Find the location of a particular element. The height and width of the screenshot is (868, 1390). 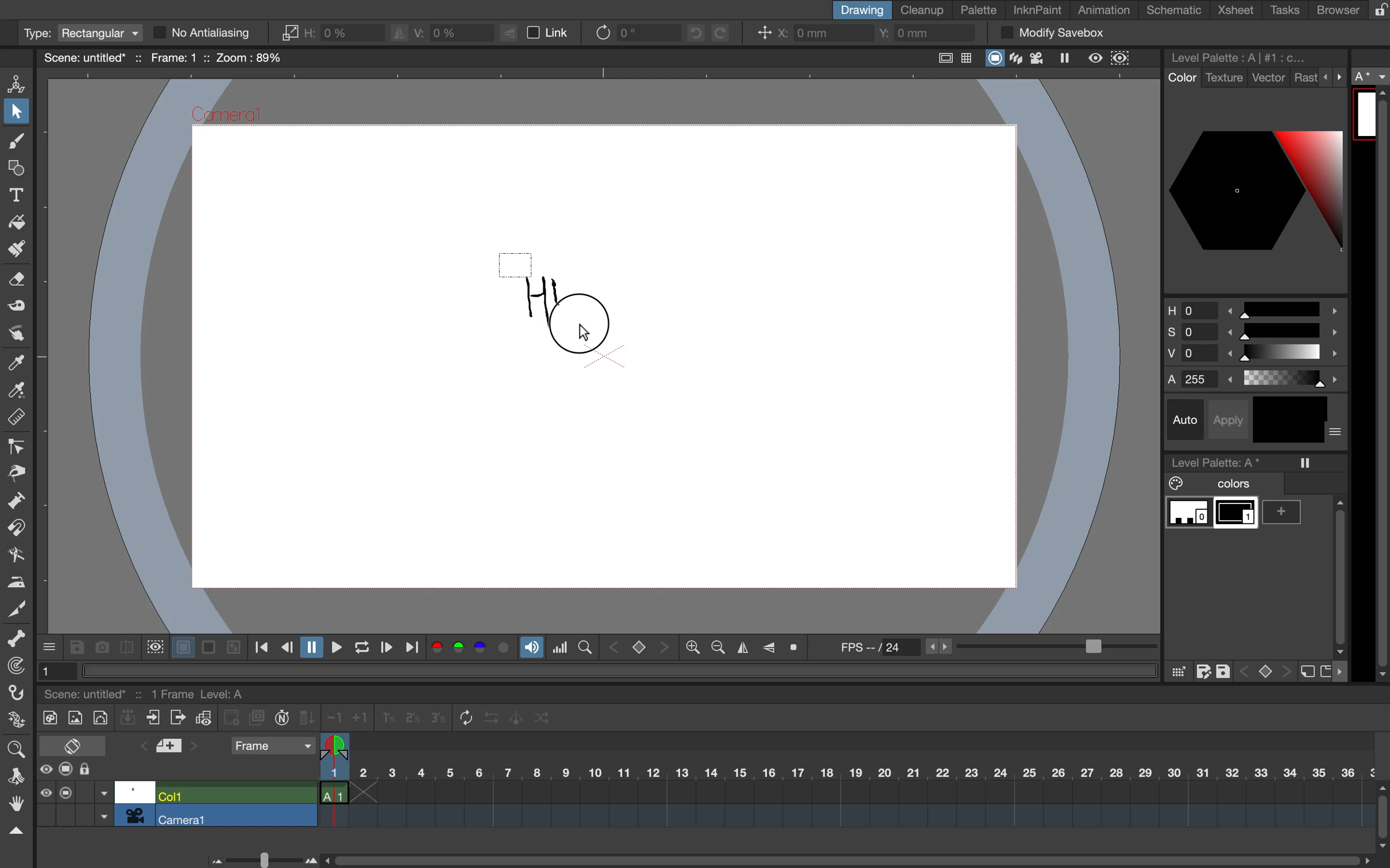

ruler tool is located at coordinates (17, 419).